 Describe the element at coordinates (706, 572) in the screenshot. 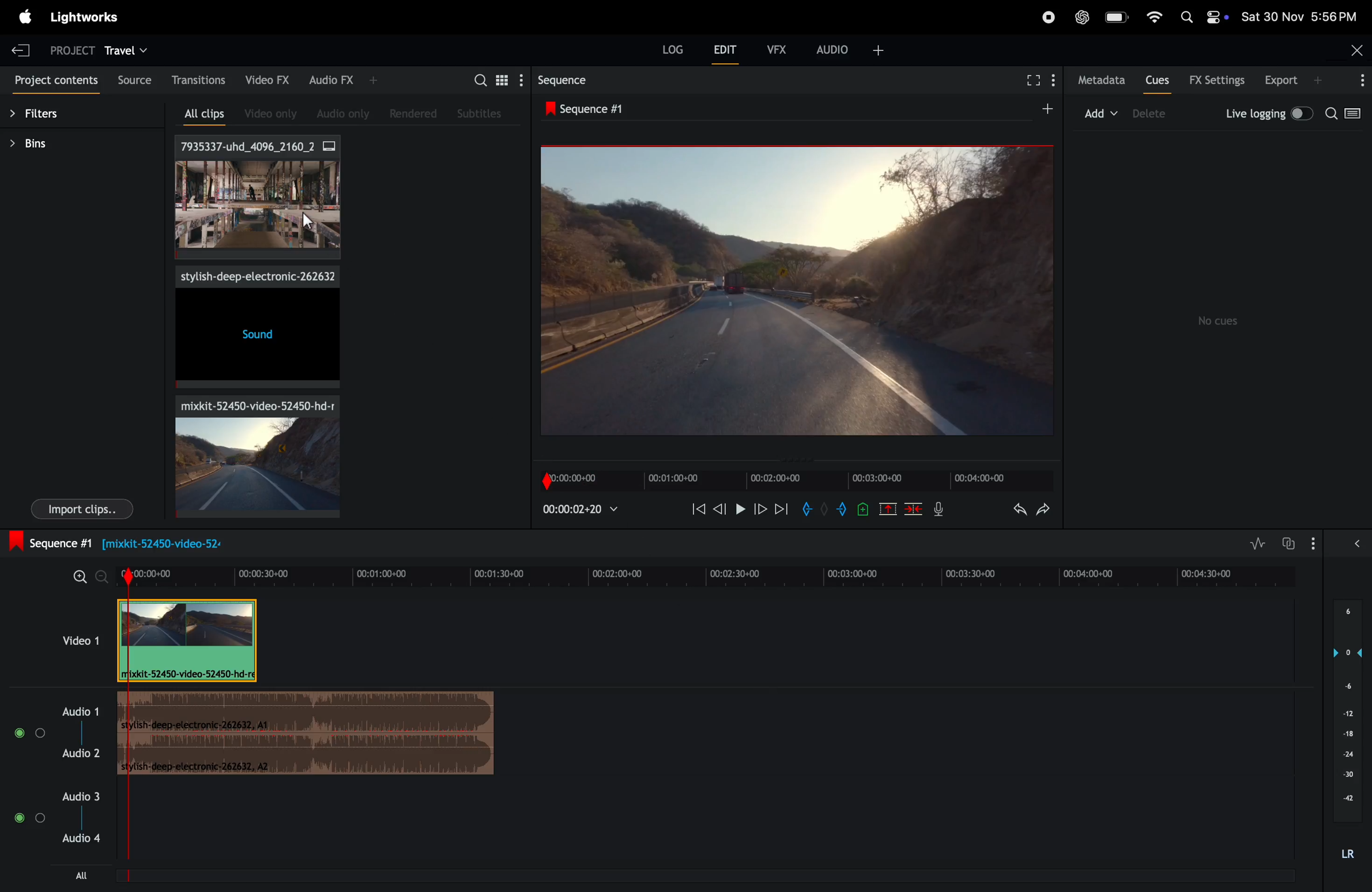

I see `time frame` at that location.